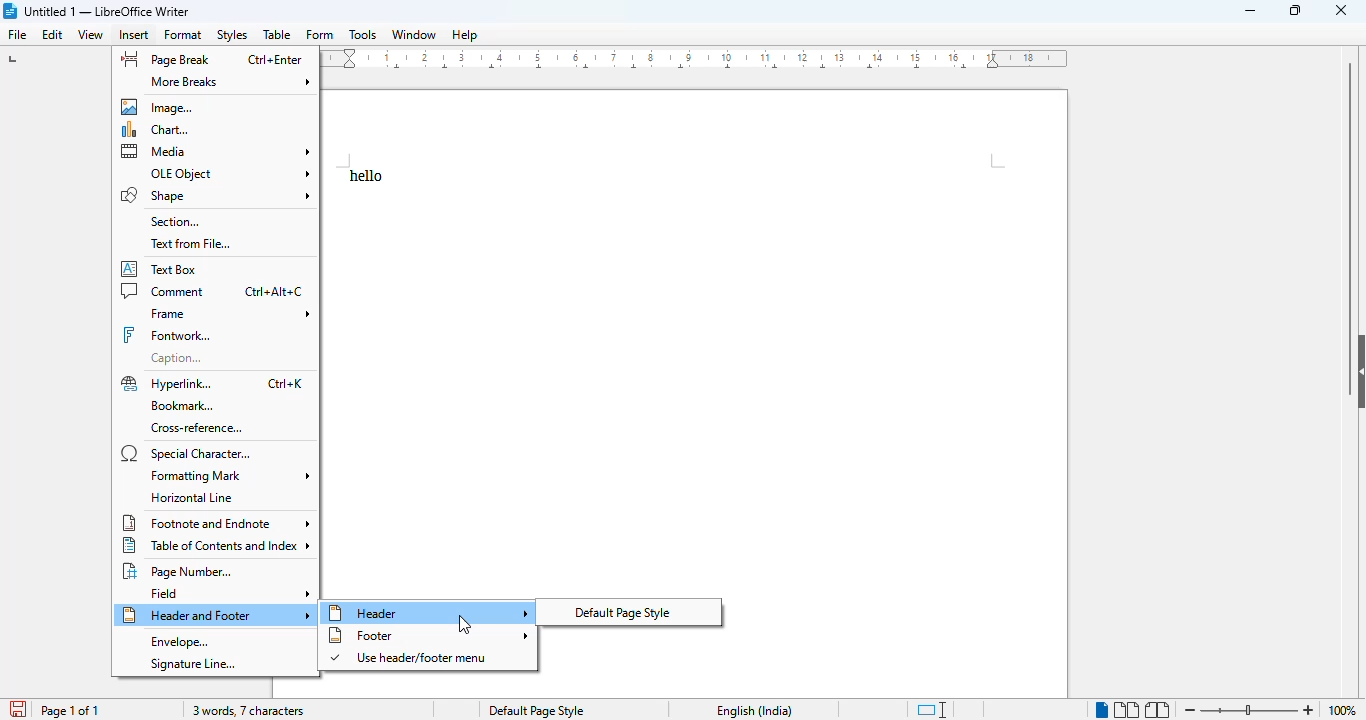 The image size is (1366, 720). Describe the element at coordinates (179, 642) in the screenshot. I see `envelope` at that location.